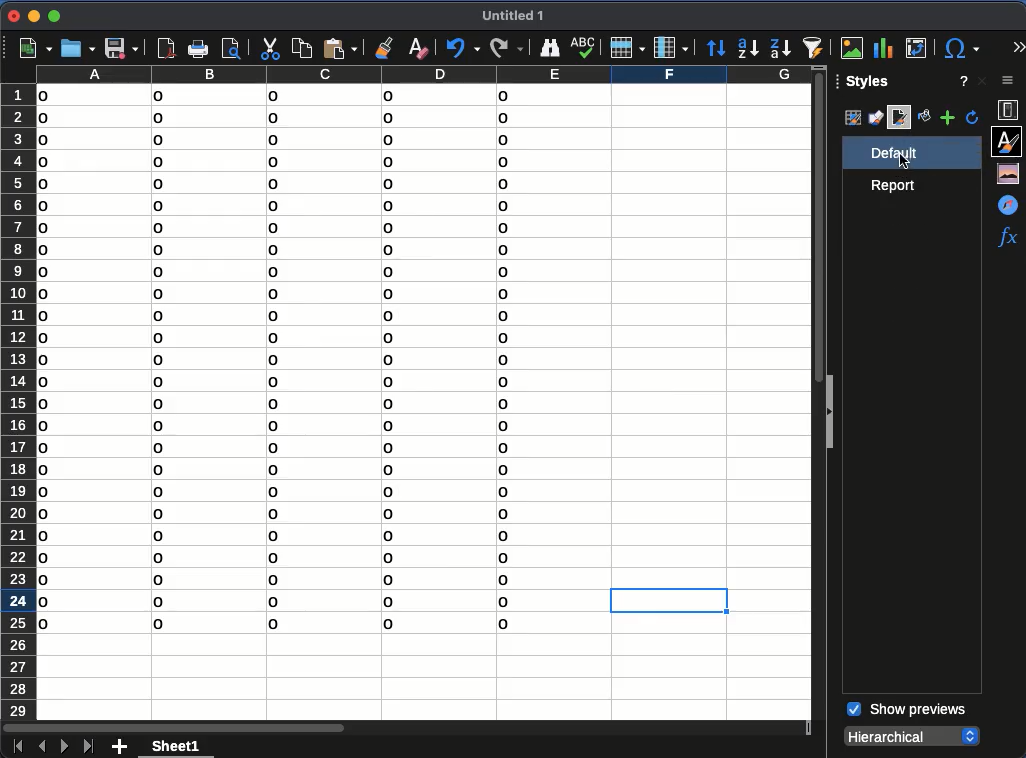  I want to click on report, so click(898, 185).